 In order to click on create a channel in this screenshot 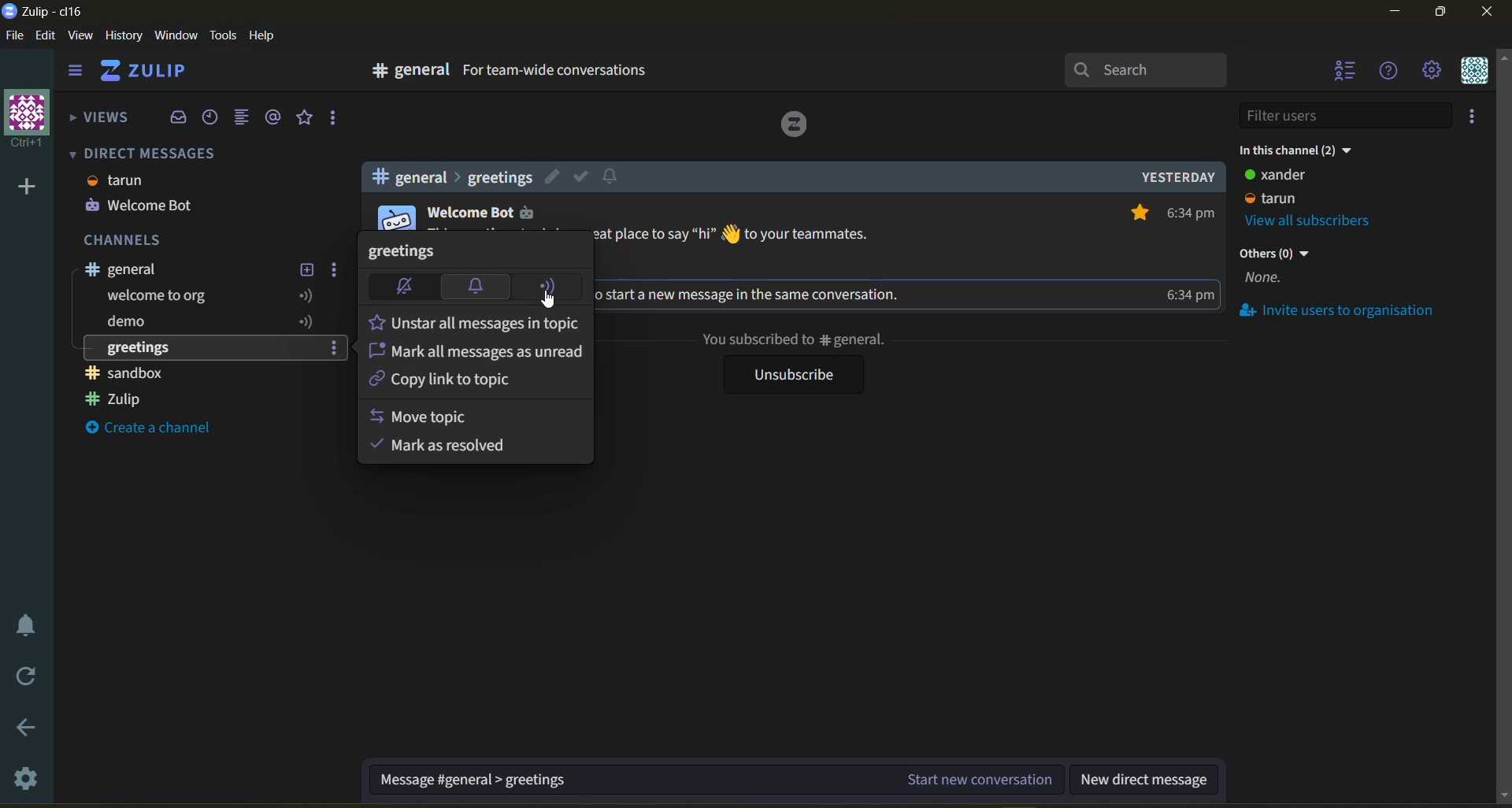, I will do `click(161, 432)`.